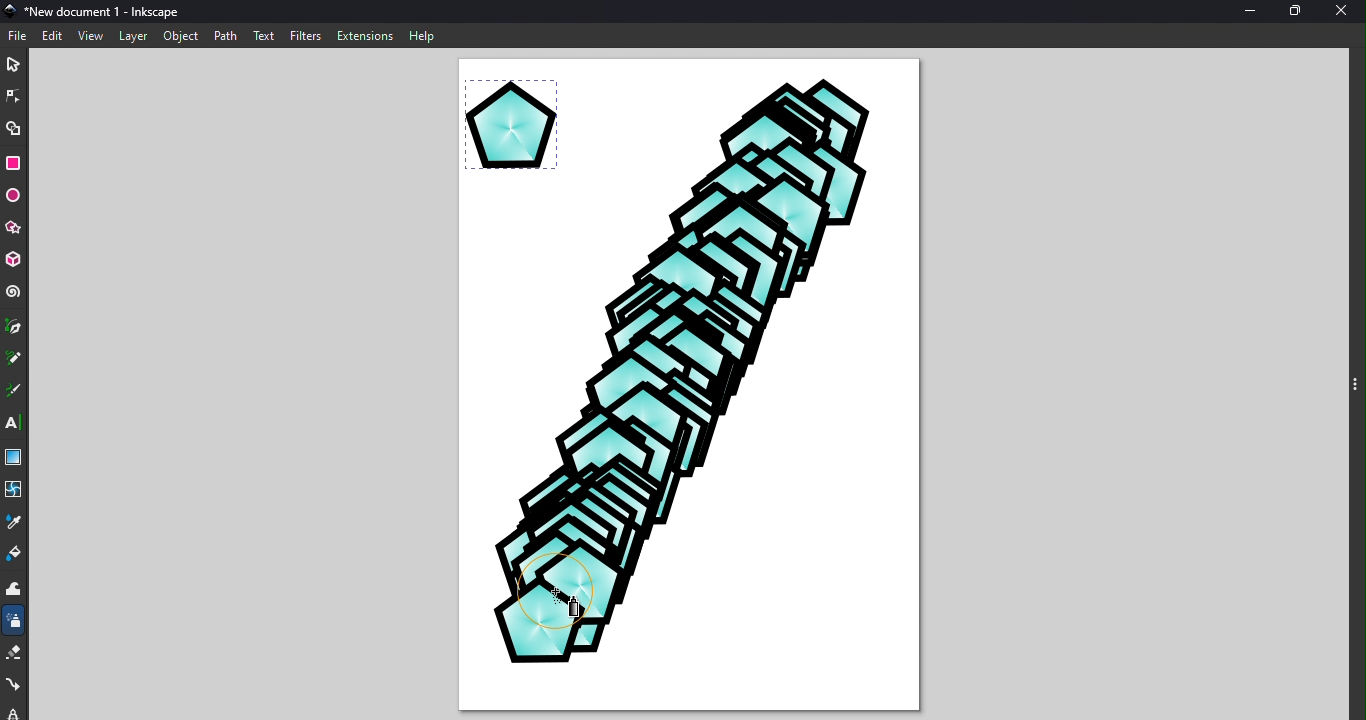 The height and width of the screenshot is (720, 1366). I want to click on Selector tool, so click(13, 63).